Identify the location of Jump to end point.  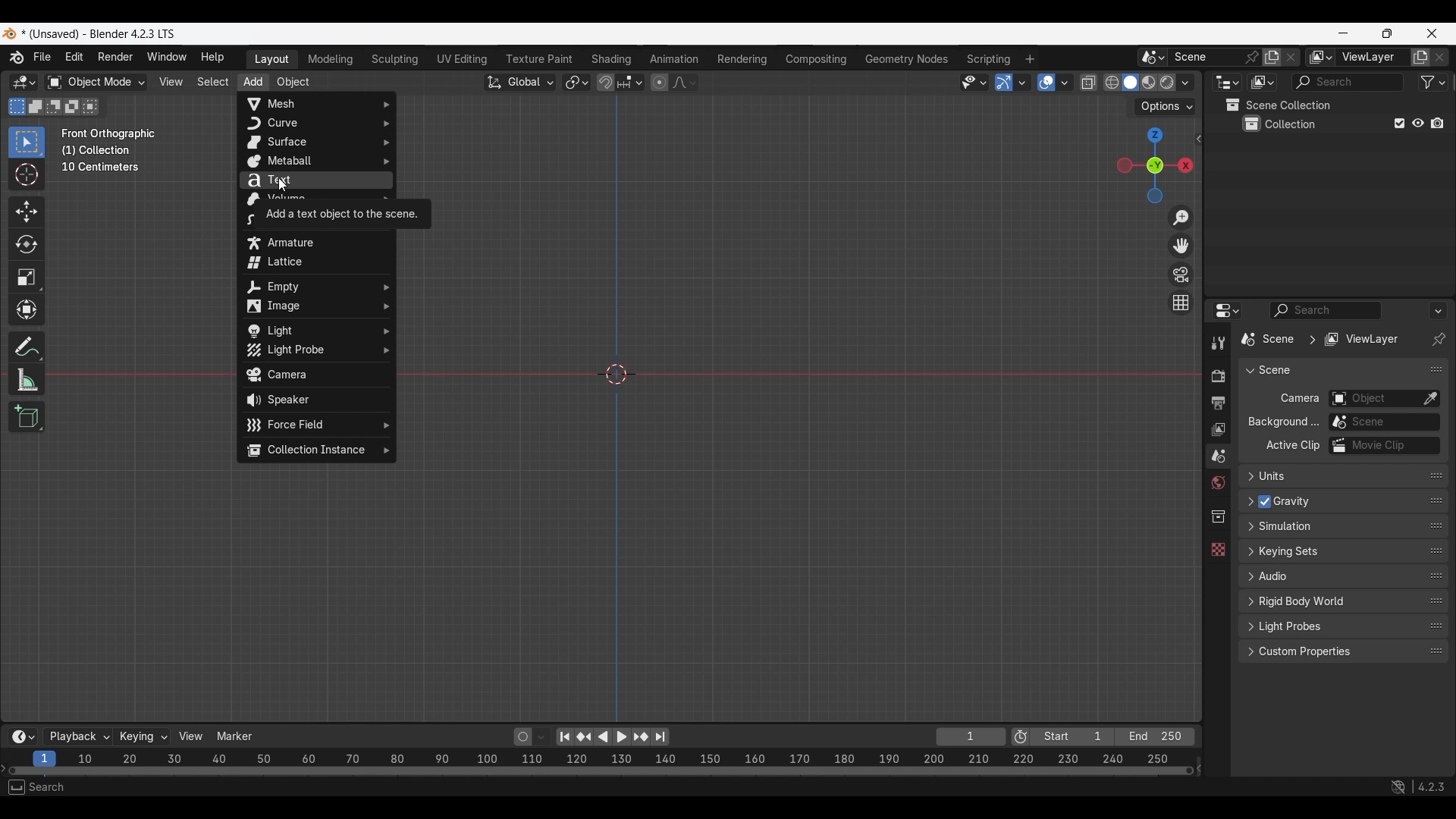
(661, 737).